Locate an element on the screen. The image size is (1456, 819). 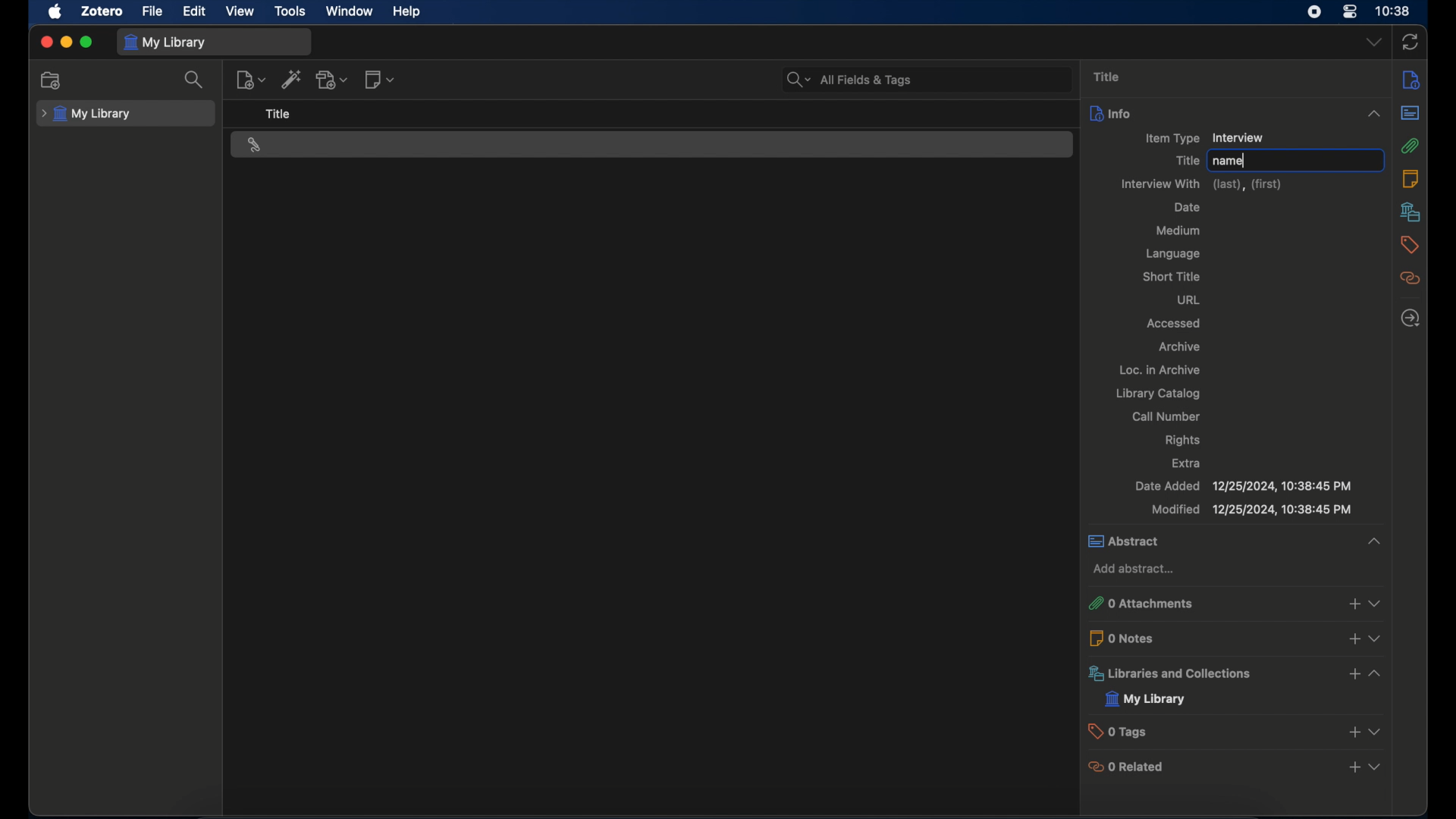
0 tags is located at coordinates (1124, 732).